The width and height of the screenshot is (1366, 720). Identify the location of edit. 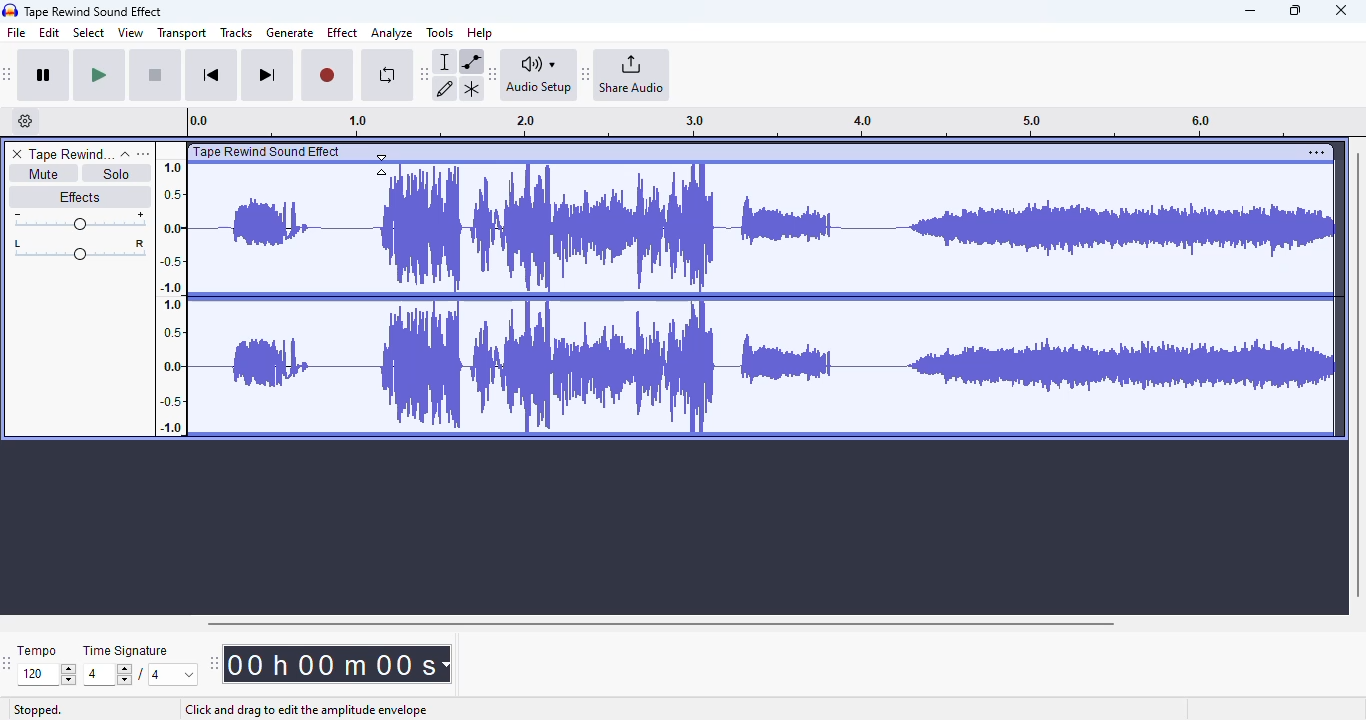
(50, 33).